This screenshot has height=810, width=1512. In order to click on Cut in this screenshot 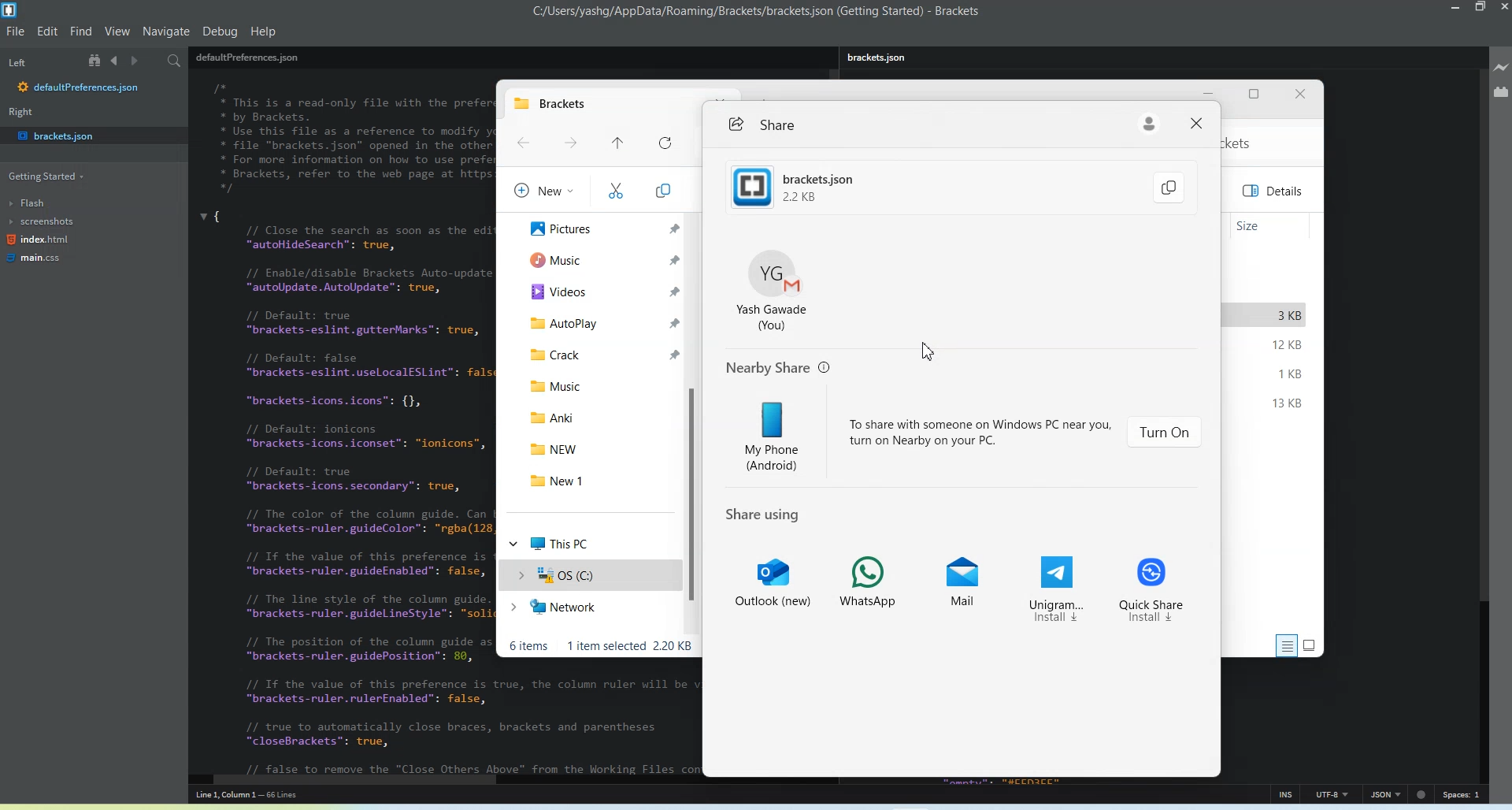, I will do `click(615, 191)`.